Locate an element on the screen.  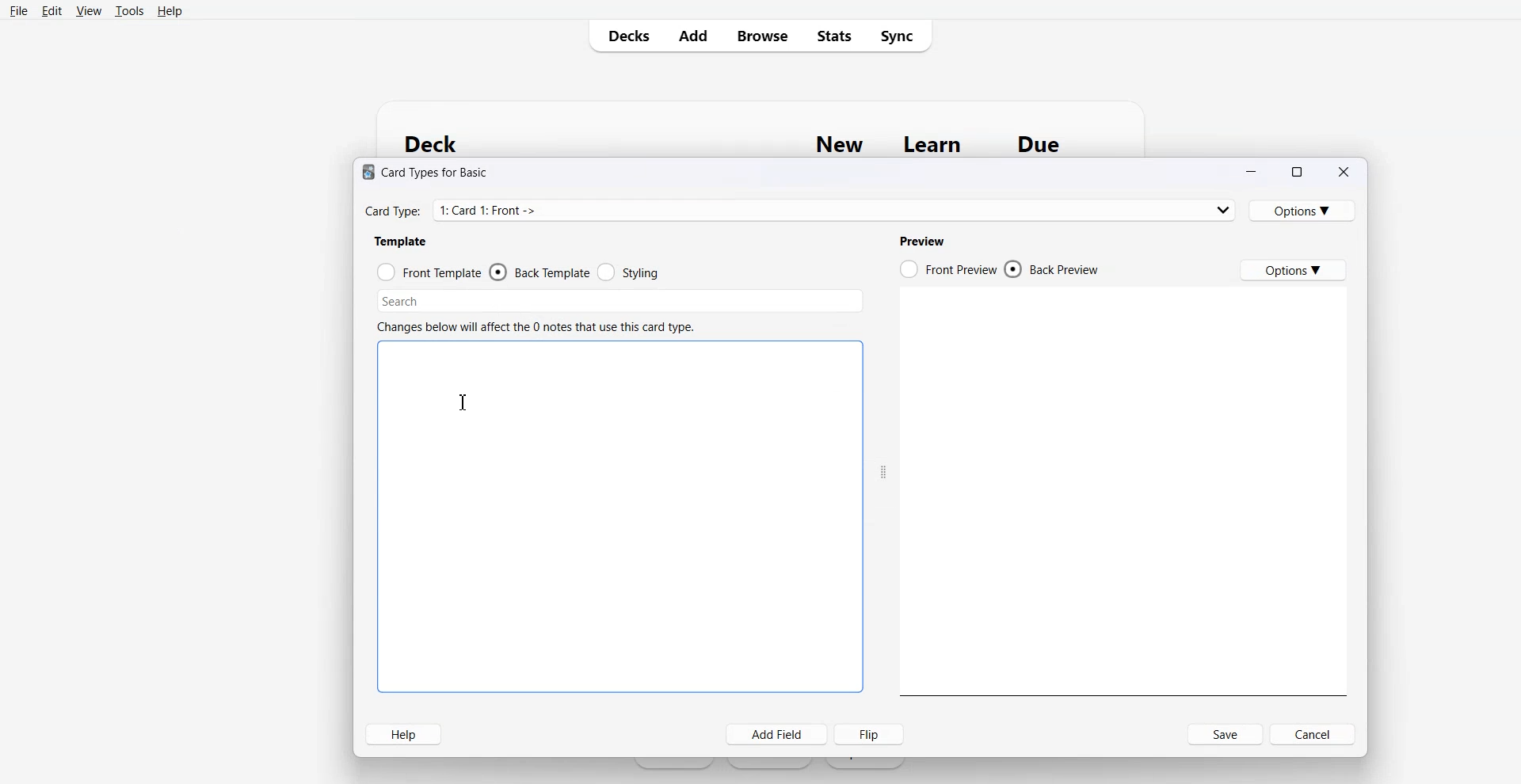
Options is located at coordinates (1288, 269).